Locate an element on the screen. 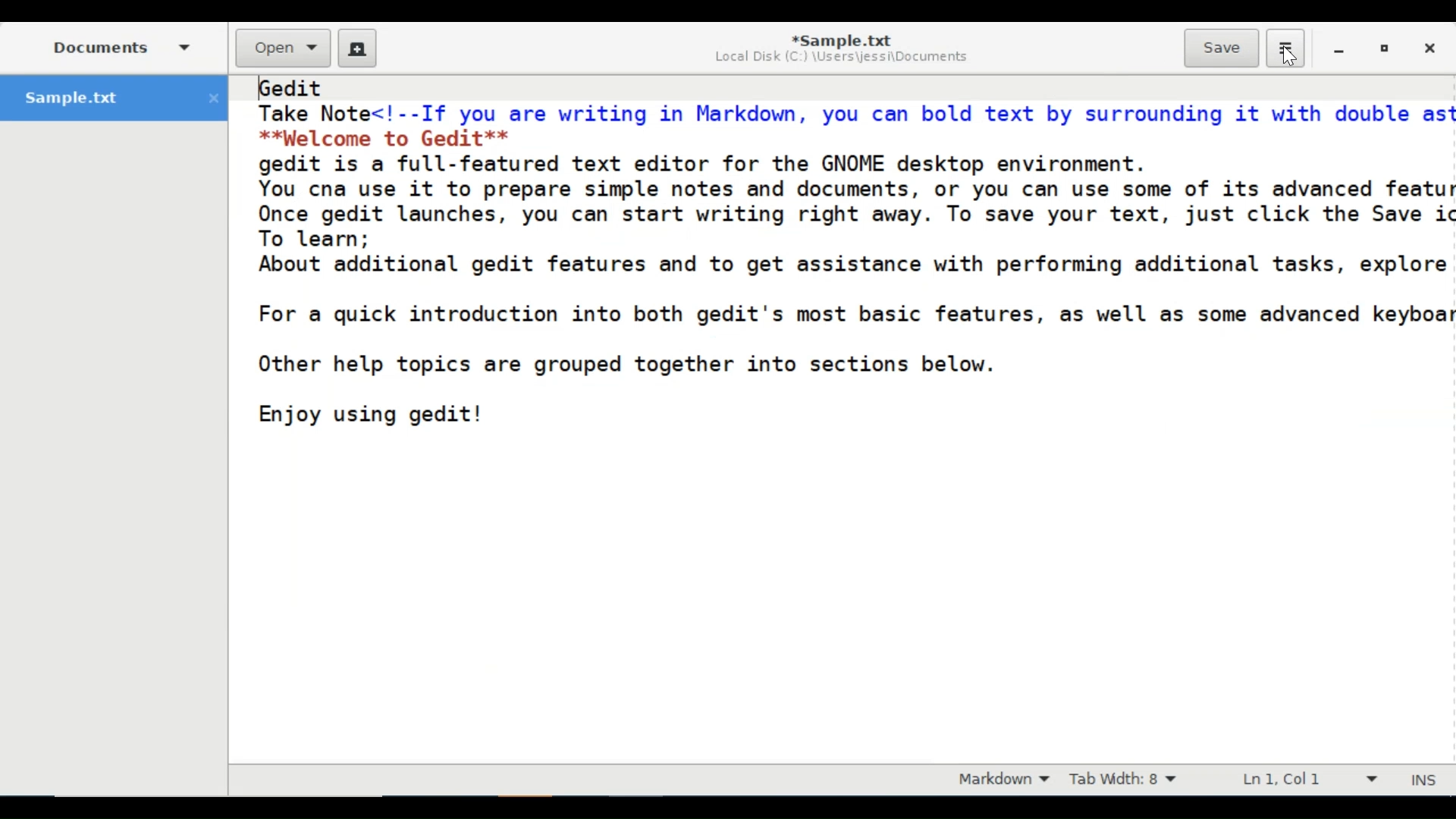 The width and height of the screenshot is (1456, 819). Documents is located at coordinates (119, 47).